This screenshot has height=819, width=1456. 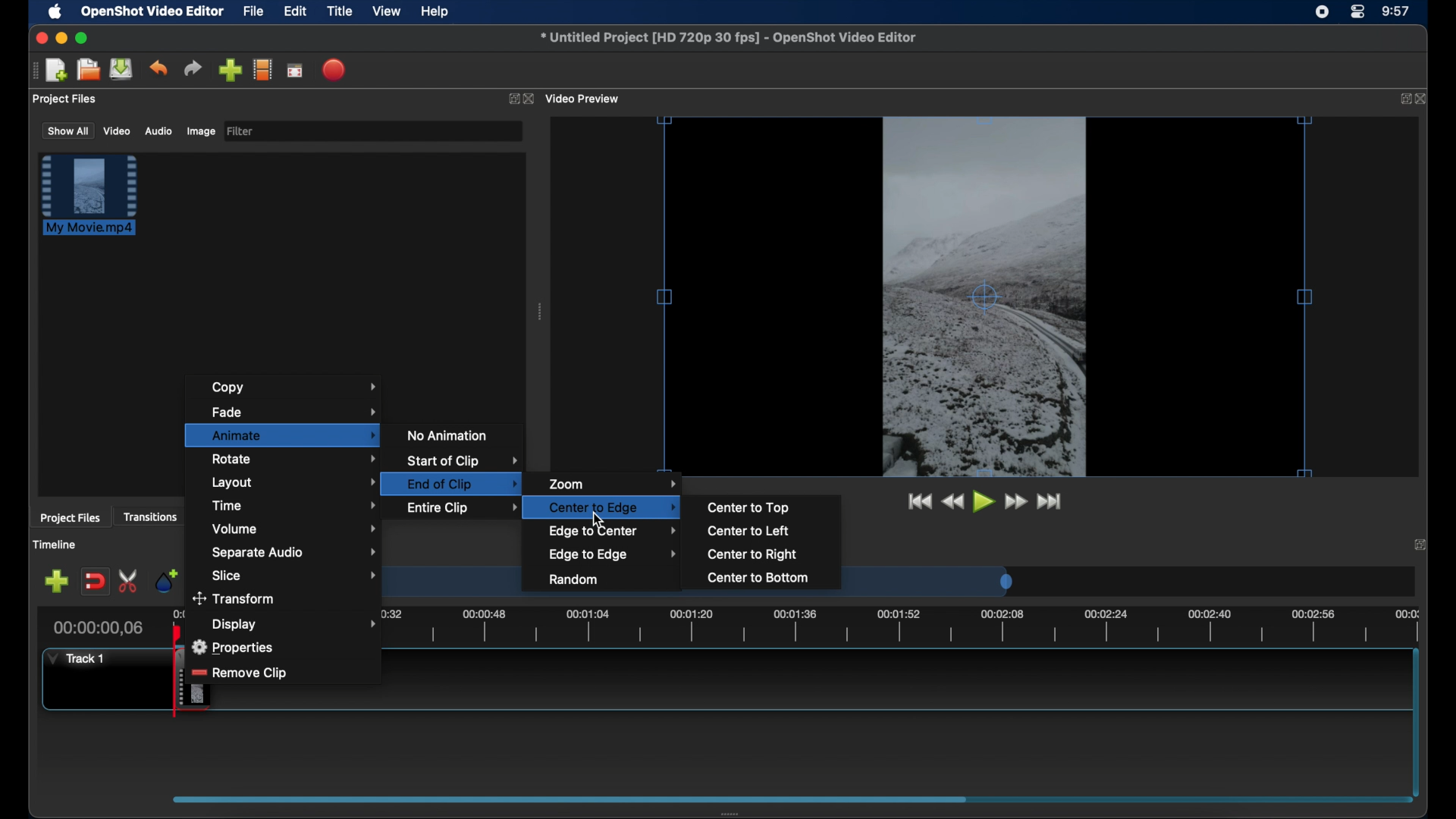 I want to click on undo, so click(x=158, y=68).